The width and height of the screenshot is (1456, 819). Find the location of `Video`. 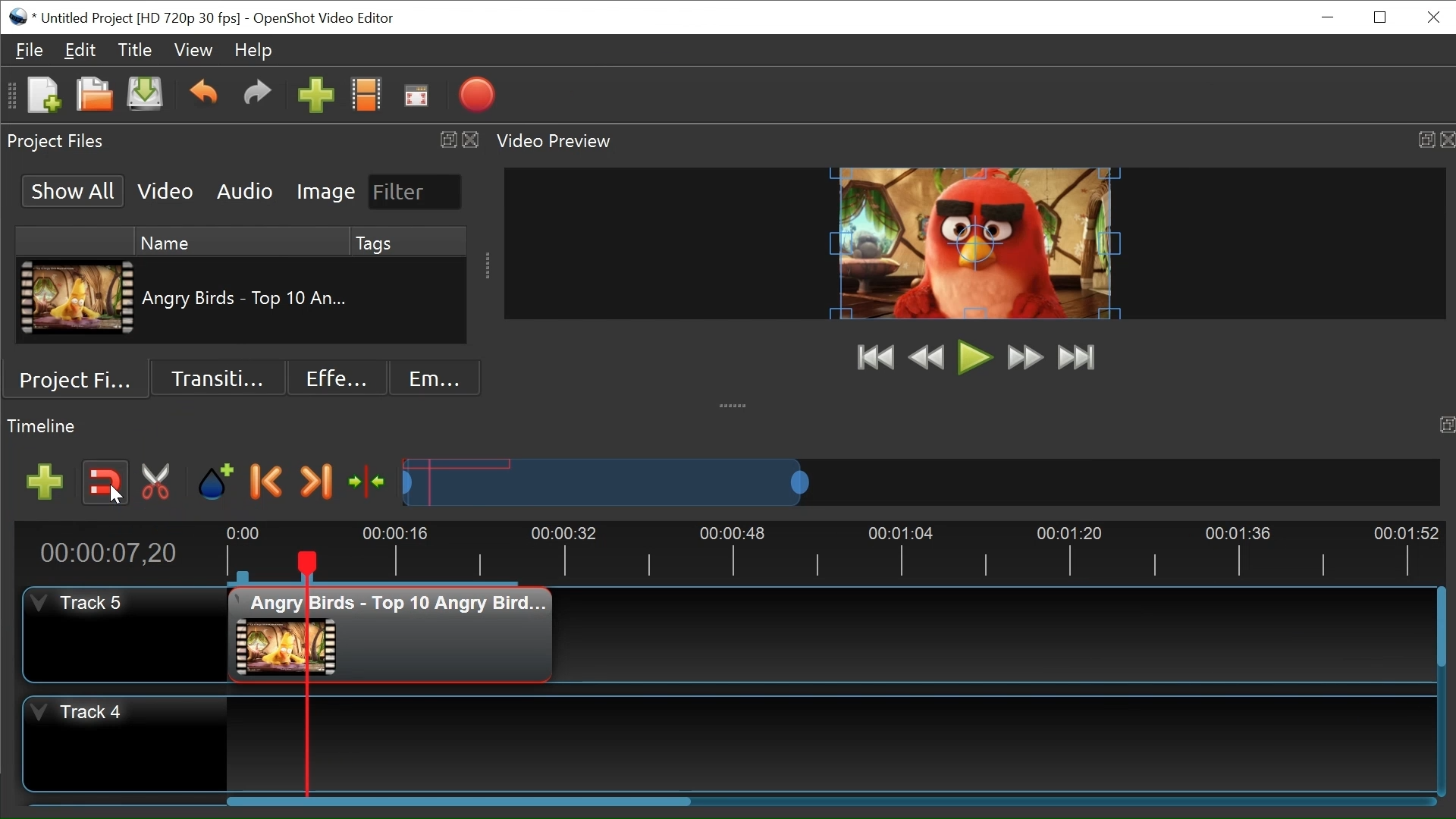

Video is located at coordinates (165, 191).